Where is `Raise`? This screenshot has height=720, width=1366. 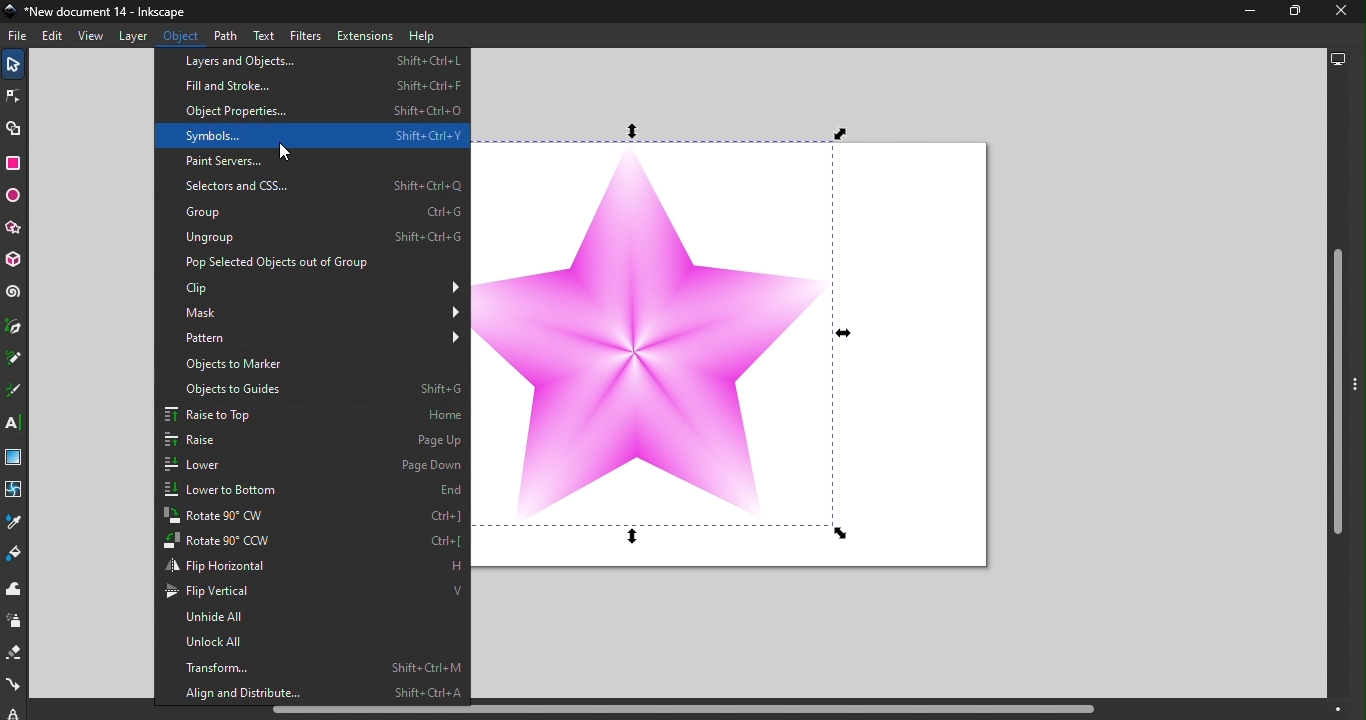 Raise is located at coordinates (310, 439).